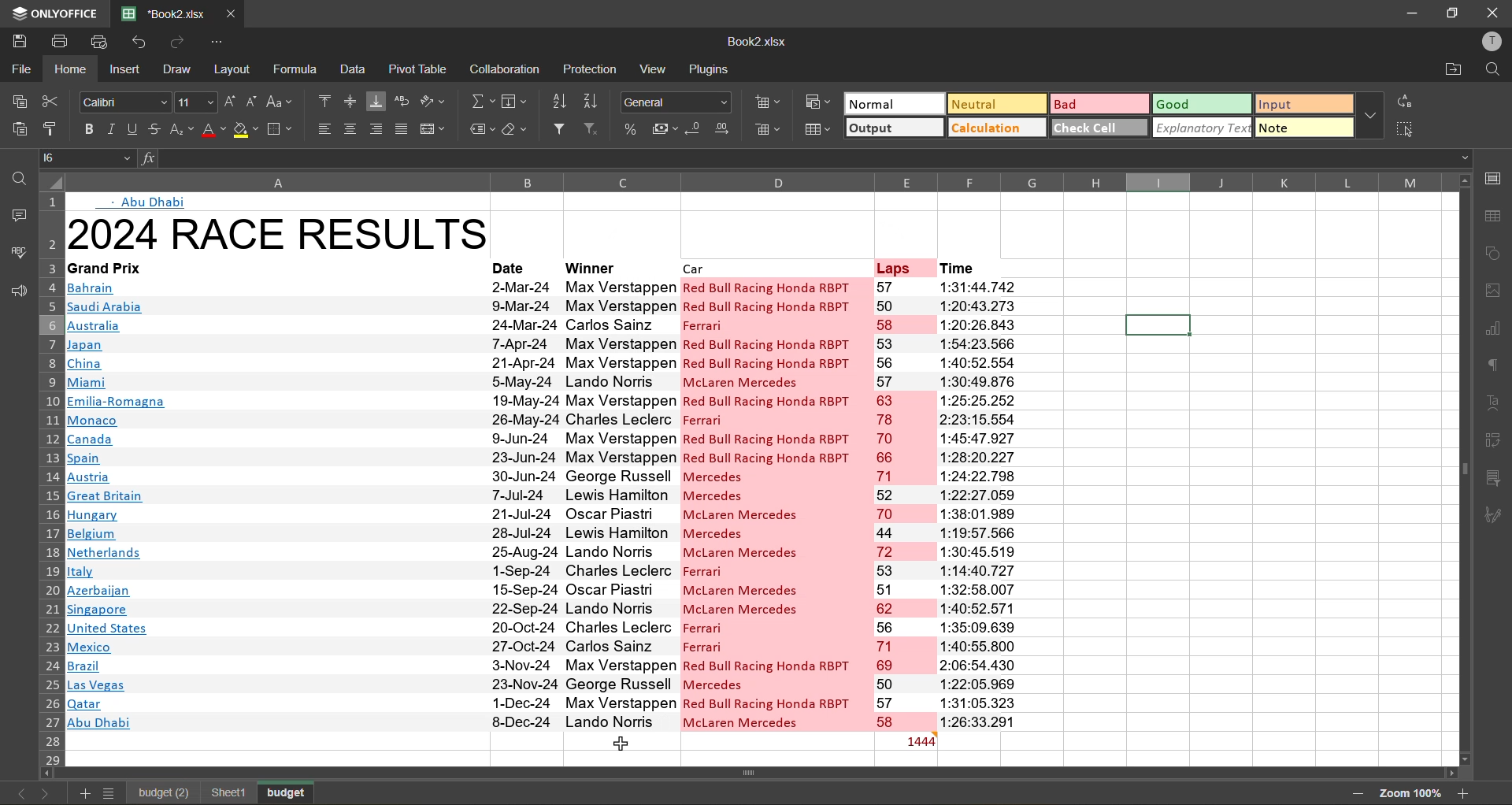  What do you see at coordinates (1495, 331) in the screenshot?
I see `charts` at bounding box center [1495, 331].